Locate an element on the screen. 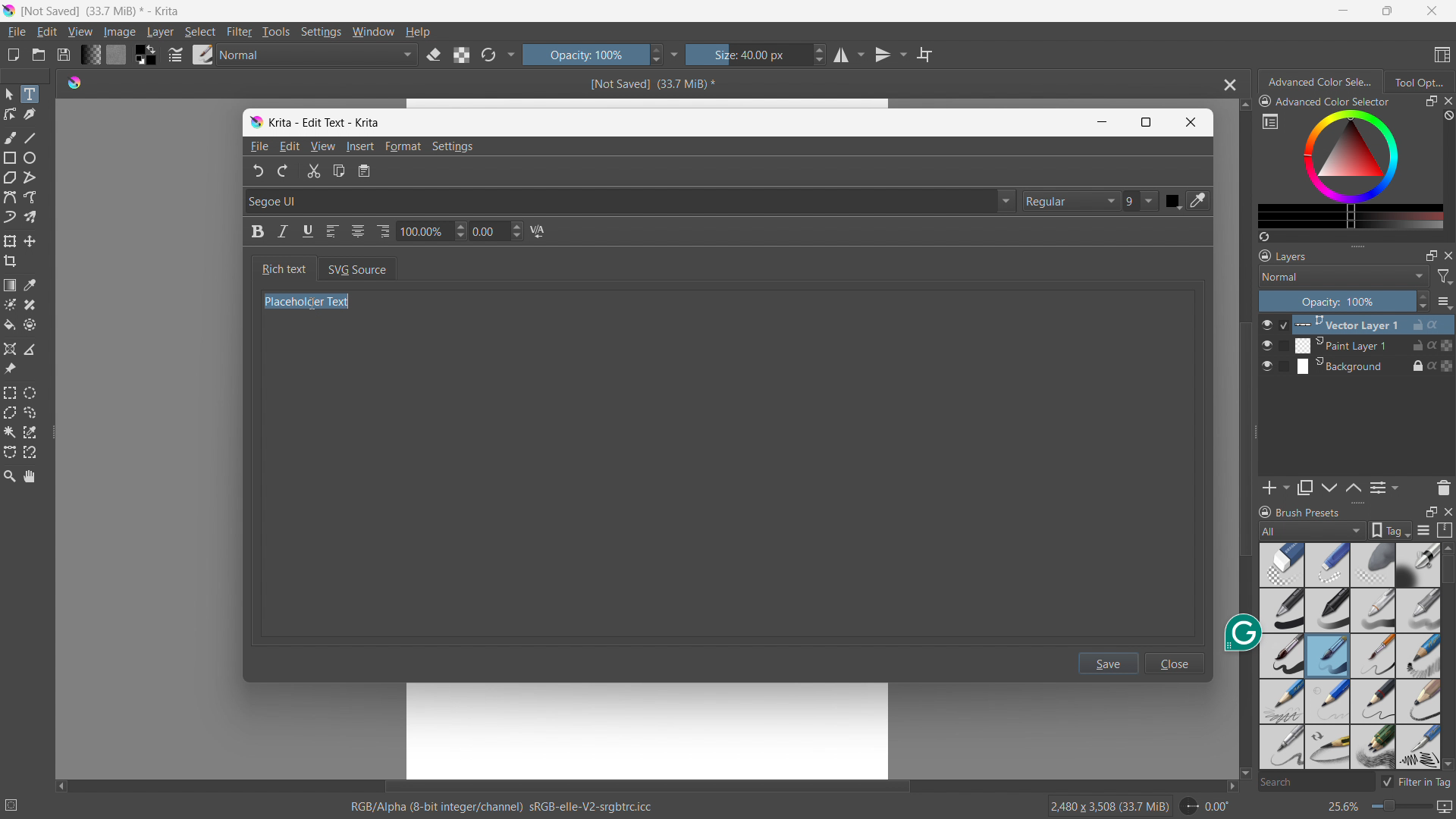  Copy is located at coordinates (340, 173).